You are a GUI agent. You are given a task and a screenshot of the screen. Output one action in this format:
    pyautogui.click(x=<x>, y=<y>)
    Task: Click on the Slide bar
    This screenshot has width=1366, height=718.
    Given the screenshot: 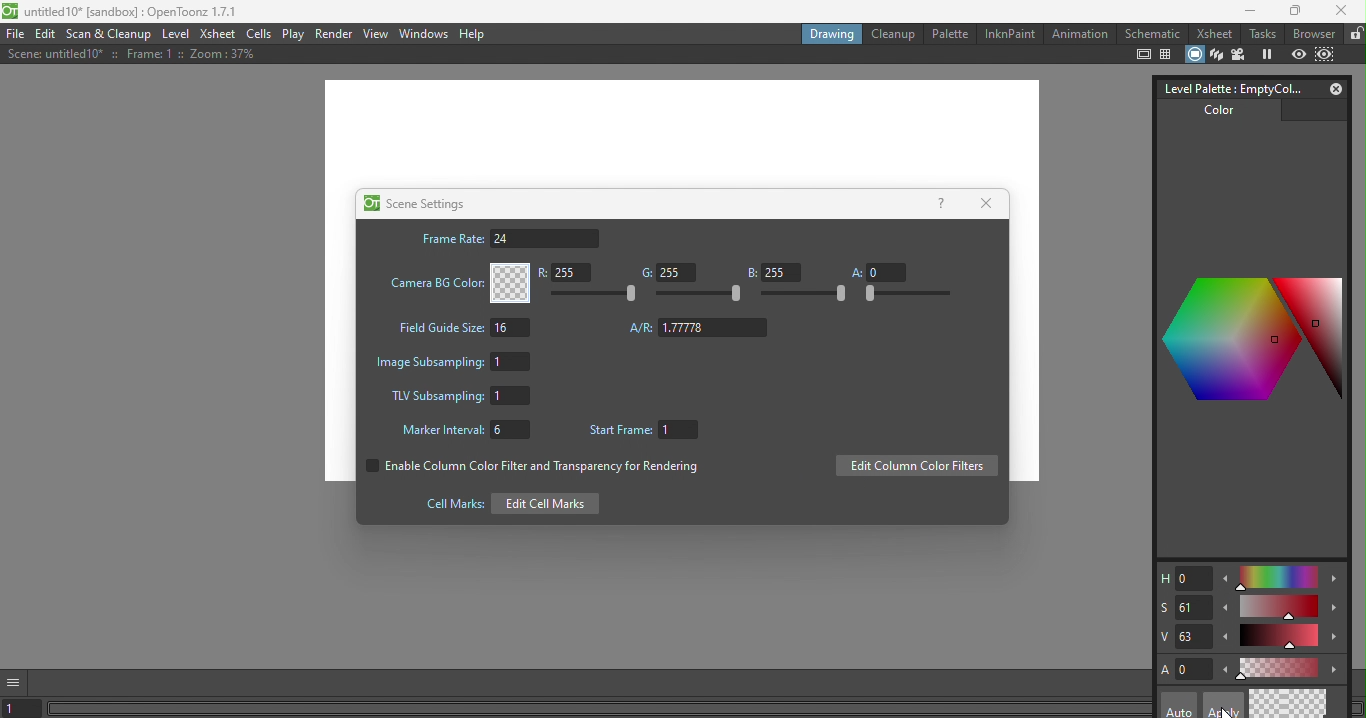 What is the action you would take?
    pyautogui.click(x=1280, y=608)
    